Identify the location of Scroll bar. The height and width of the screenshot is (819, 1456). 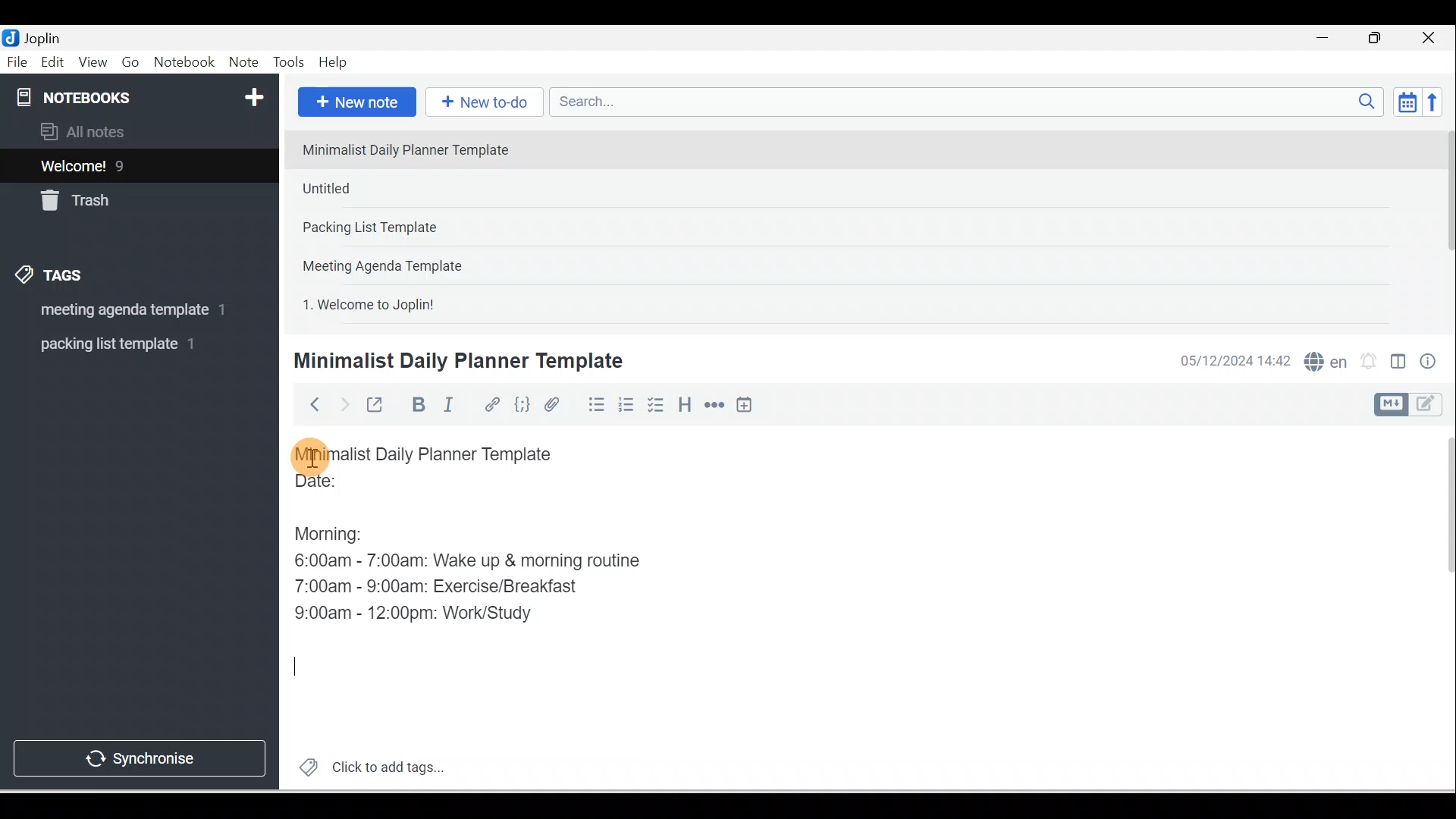
(1439, 608).